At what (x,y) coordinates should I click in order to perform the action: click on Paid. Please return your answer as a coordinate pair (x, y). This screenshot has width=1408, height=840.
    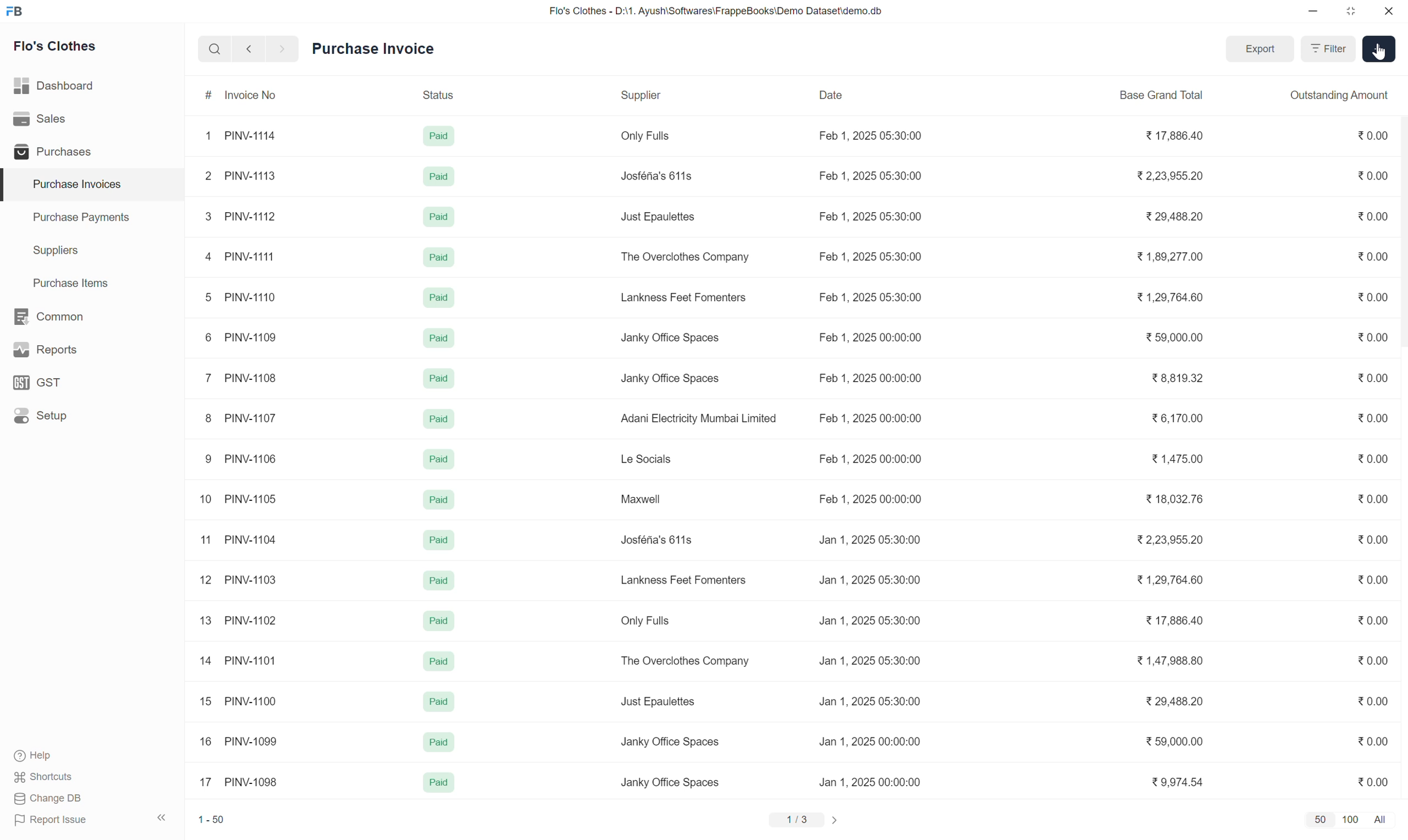
    Looking at the image, I should click on (440, 176).